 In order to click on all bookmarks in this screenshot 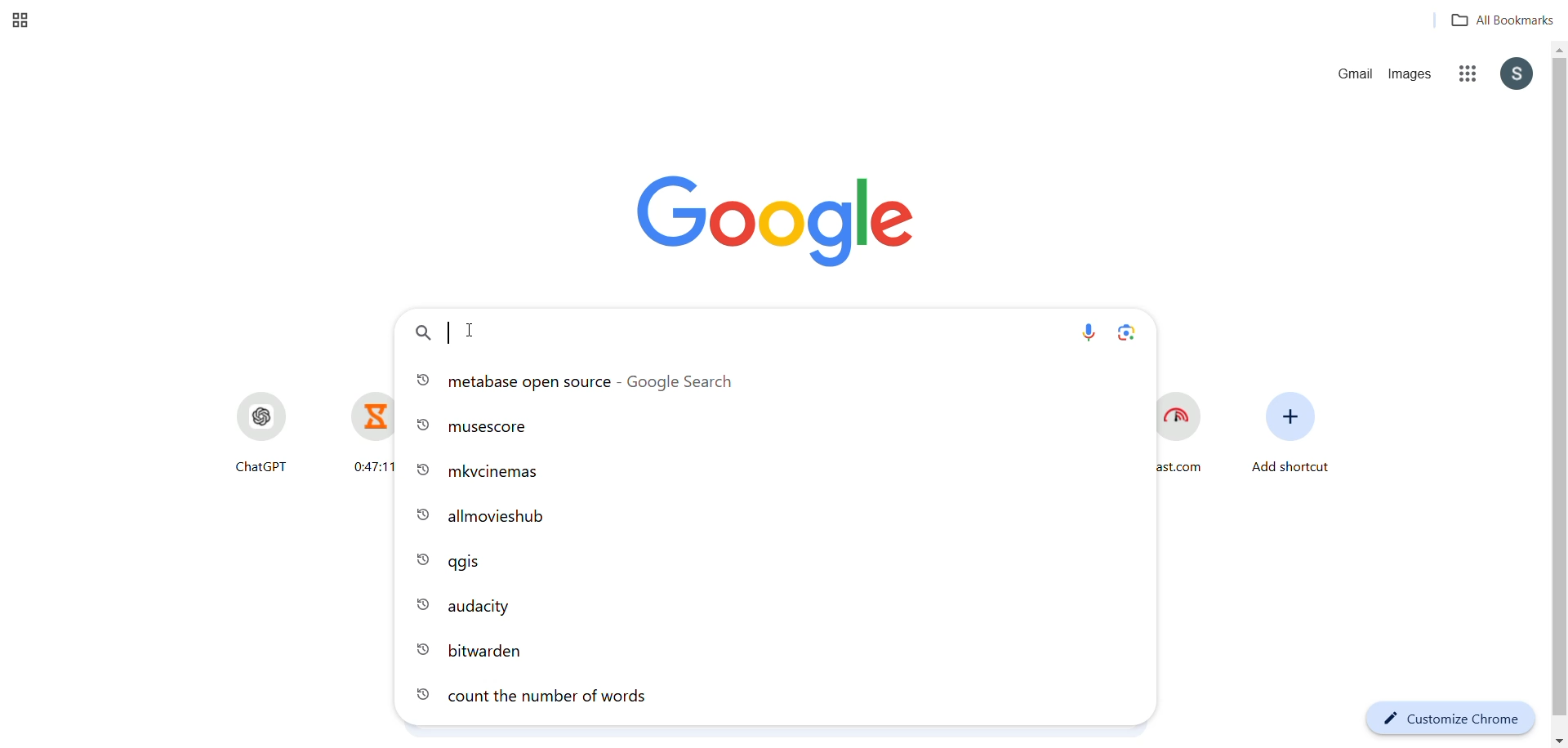, I will do `click(1495, 21)`.